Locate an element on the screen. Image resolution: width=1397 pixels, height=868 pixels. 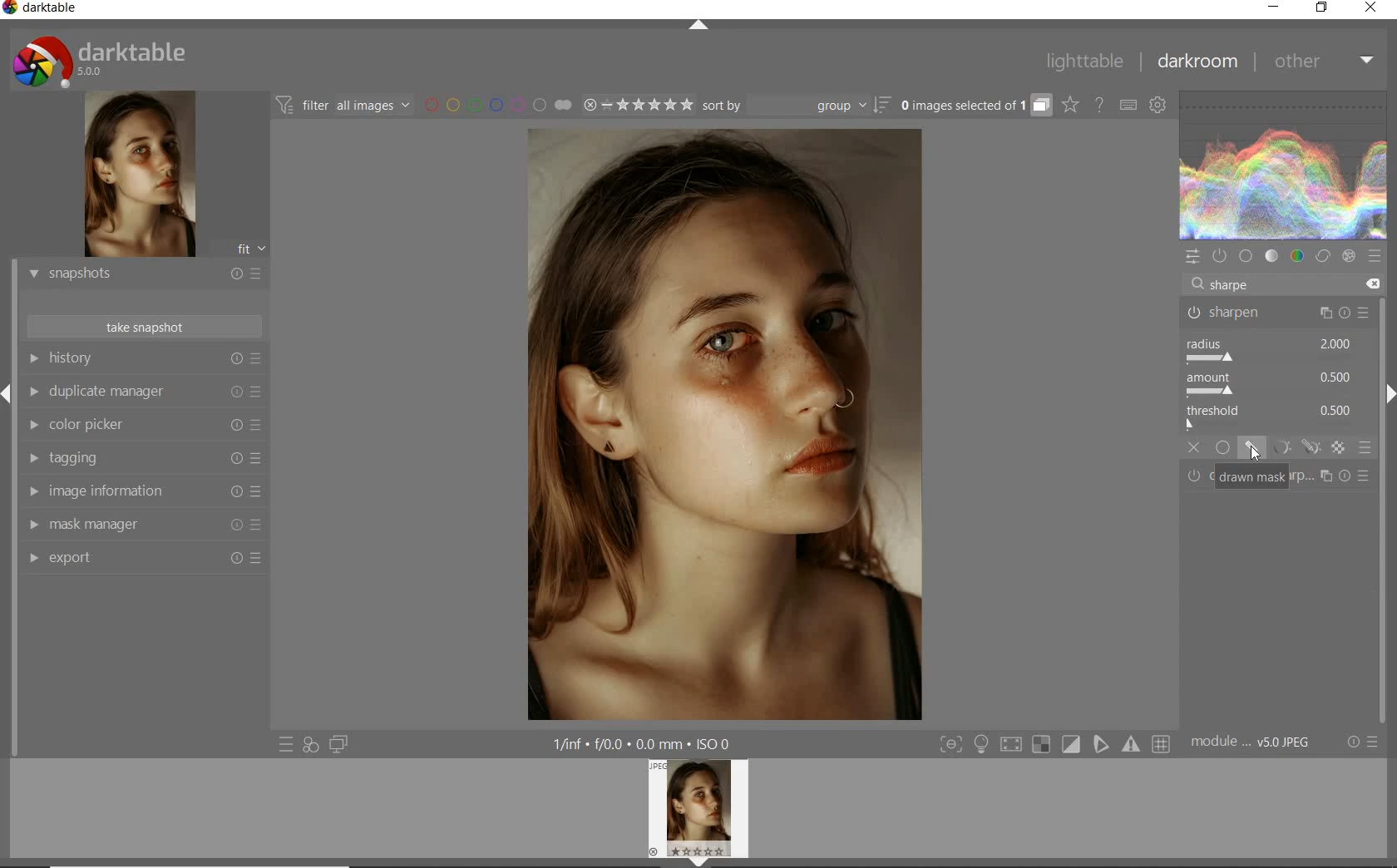
IMAGE is located at coordinates (703, 811).